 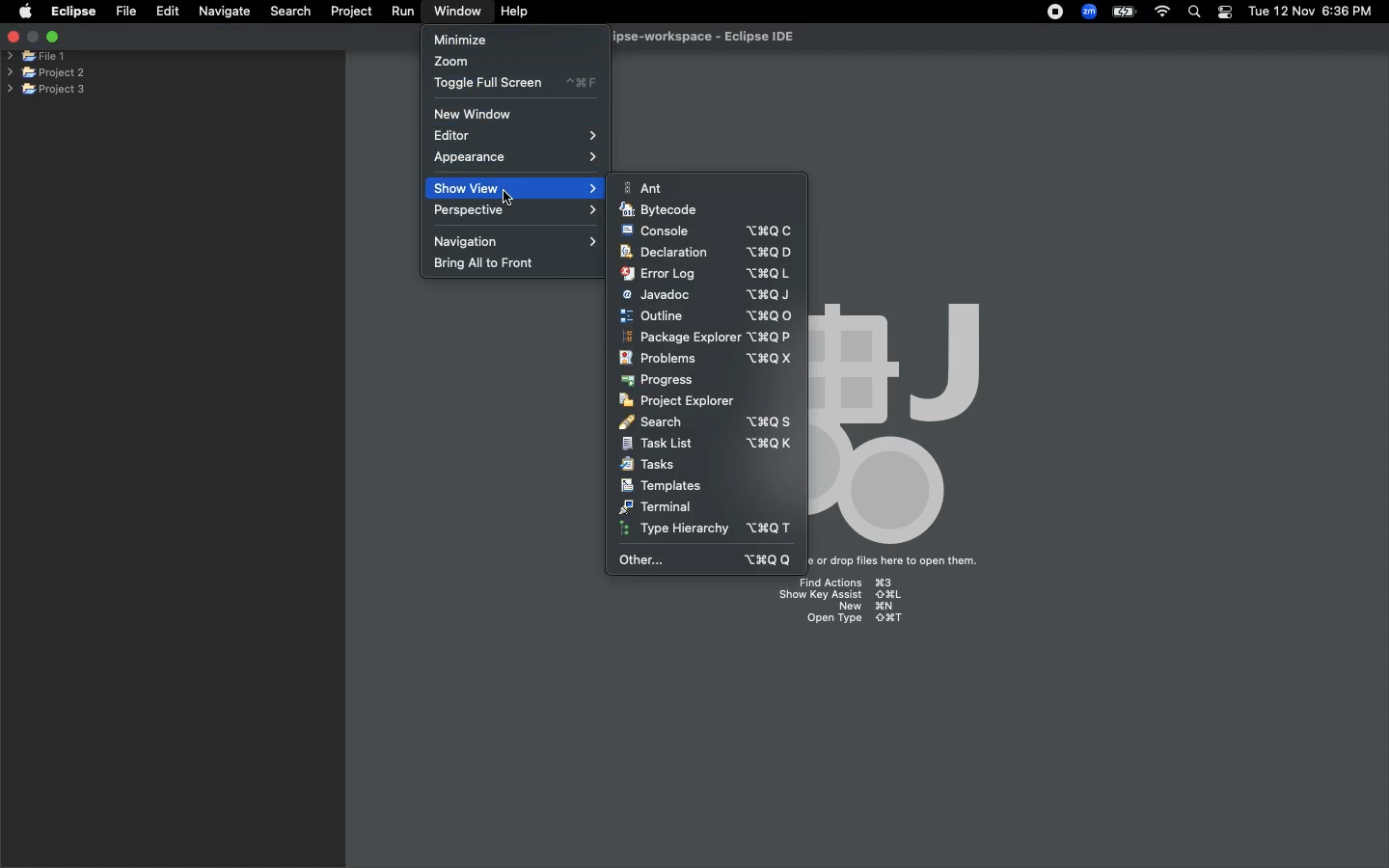 I want to click on Toggle full screen, so click(x=515, y=83).